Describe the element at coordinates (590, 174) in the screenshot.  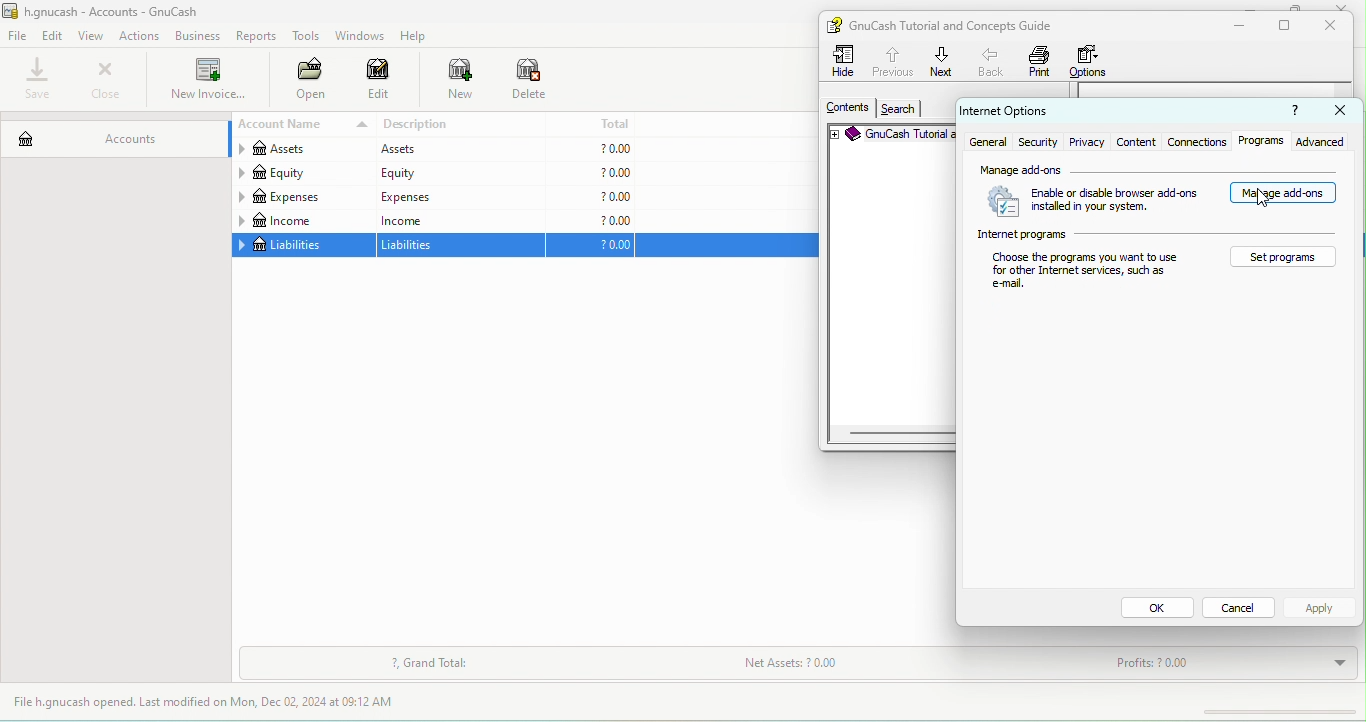
I see `?0.00` at that location.